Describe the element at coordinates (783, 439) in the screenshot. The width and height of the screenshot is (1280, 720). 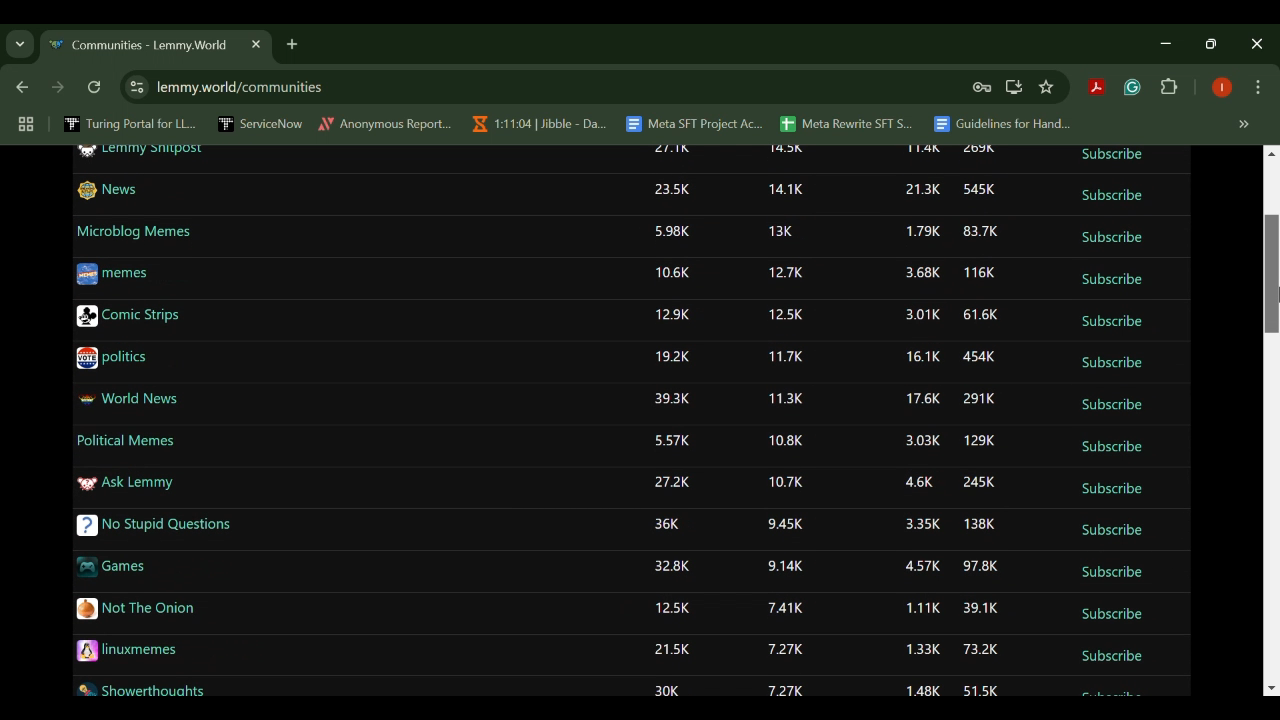
I see `10.8K` at that location.